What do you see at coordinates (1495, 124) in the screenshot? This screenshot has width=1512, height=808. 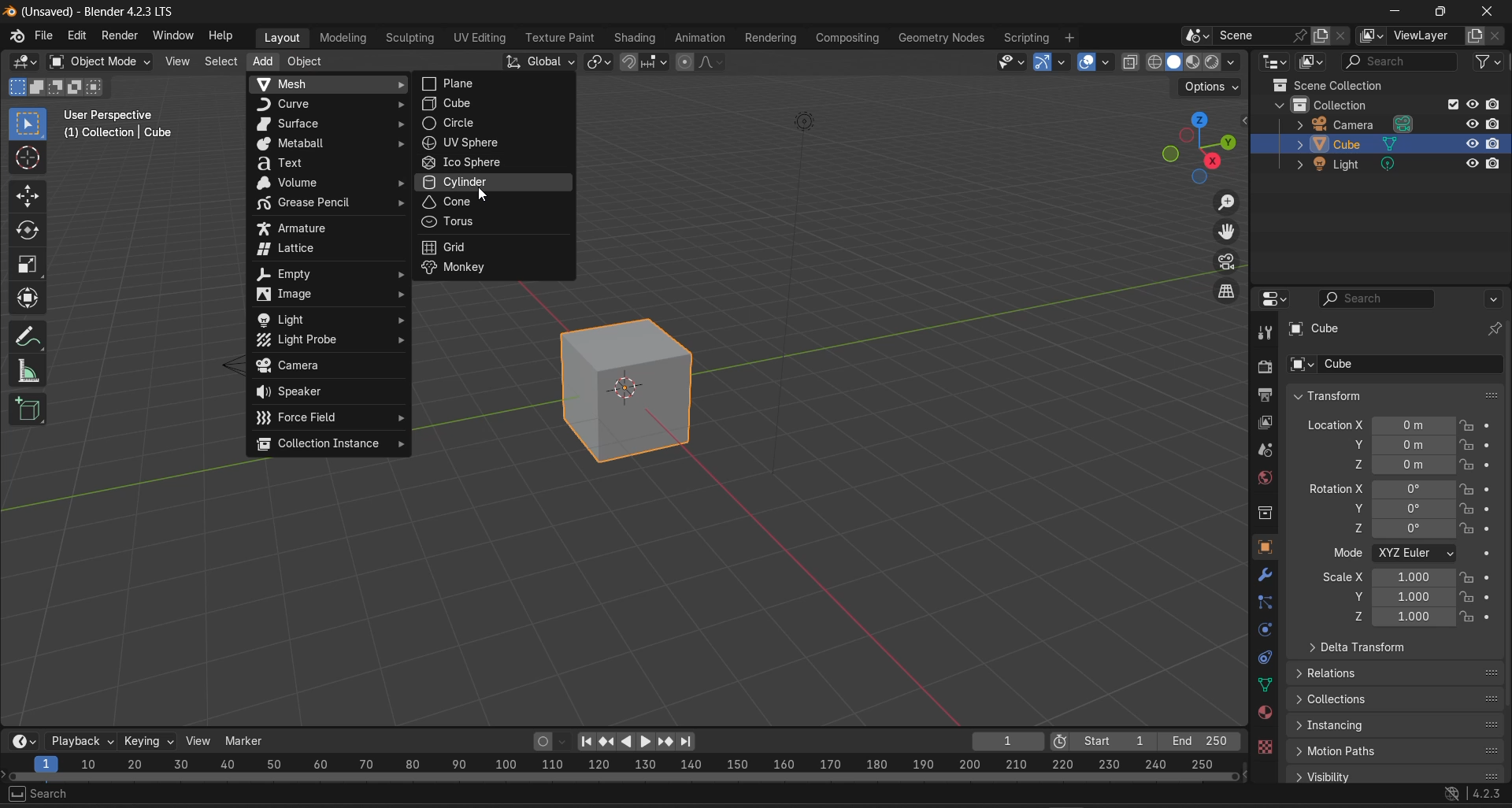 I see `disable in renders` at bounding box center [1495, 124].